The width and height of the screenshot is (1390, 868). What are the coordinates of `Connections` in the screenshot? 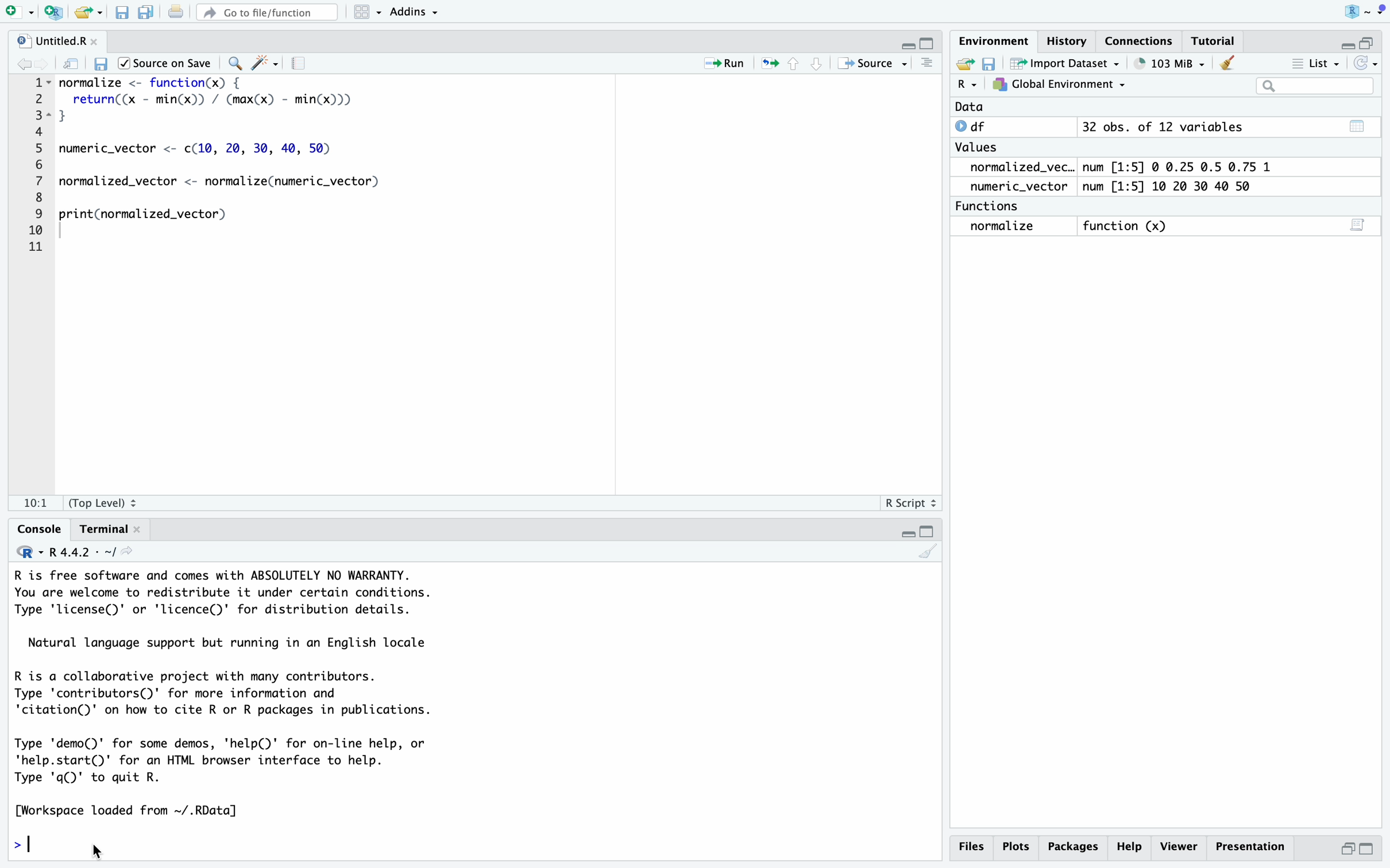 It's located at (1138, 39).